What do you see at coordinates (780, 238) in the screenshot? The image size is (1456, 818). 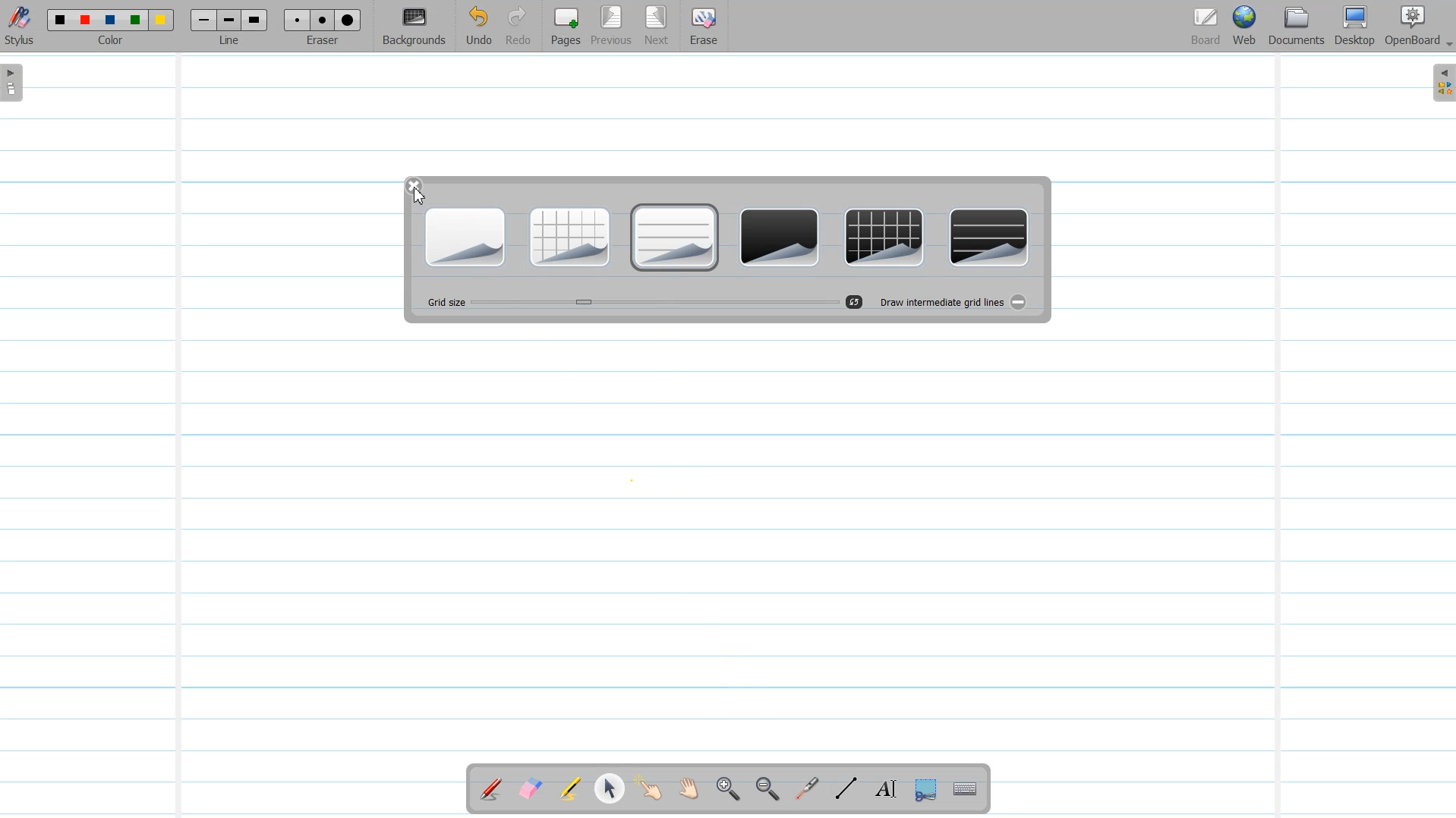 I see `Plain dark Background` at bounding box center [780, 238].